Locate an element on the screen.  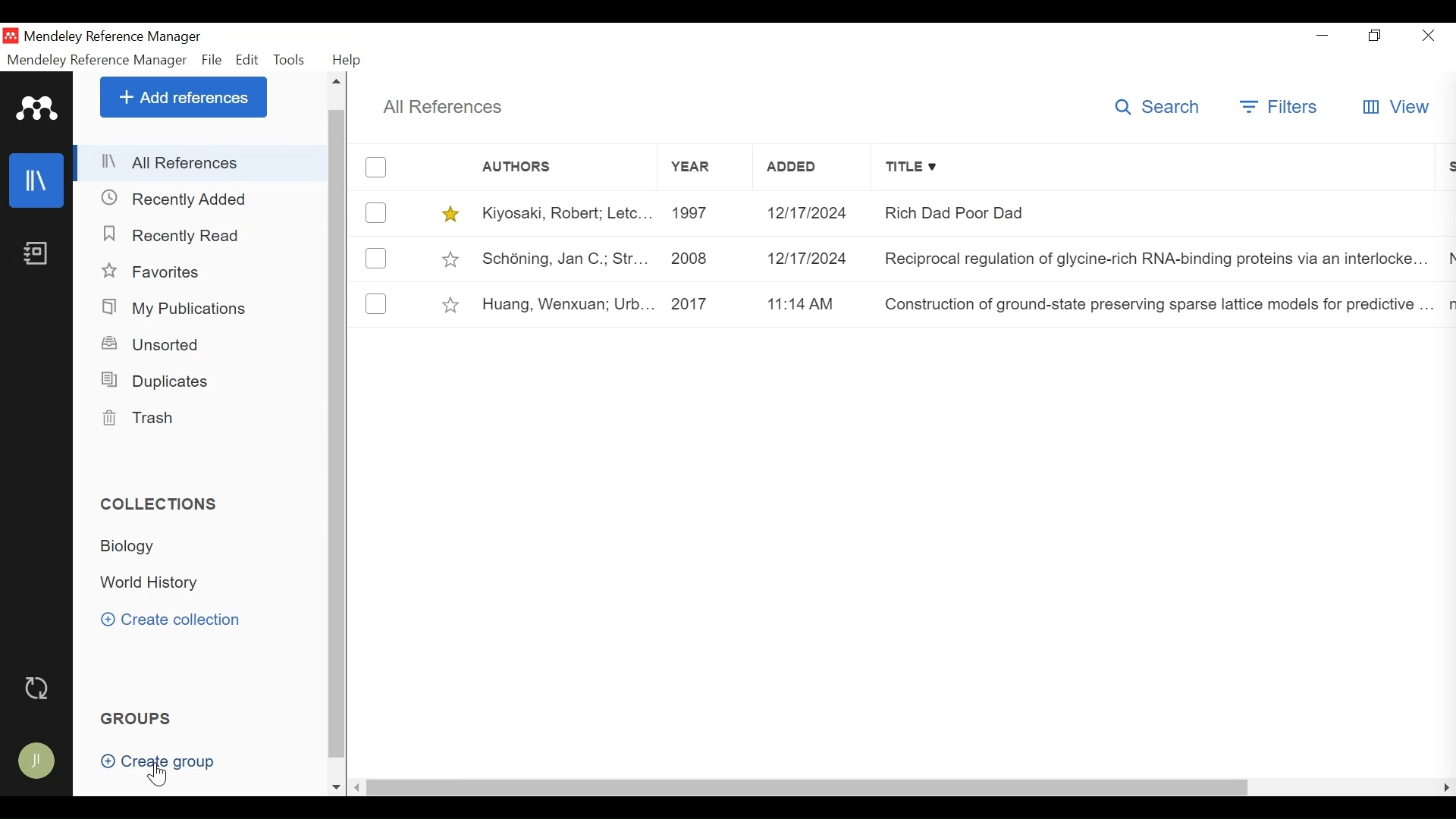
12/17/2024 is located at coordinates (812, 257).